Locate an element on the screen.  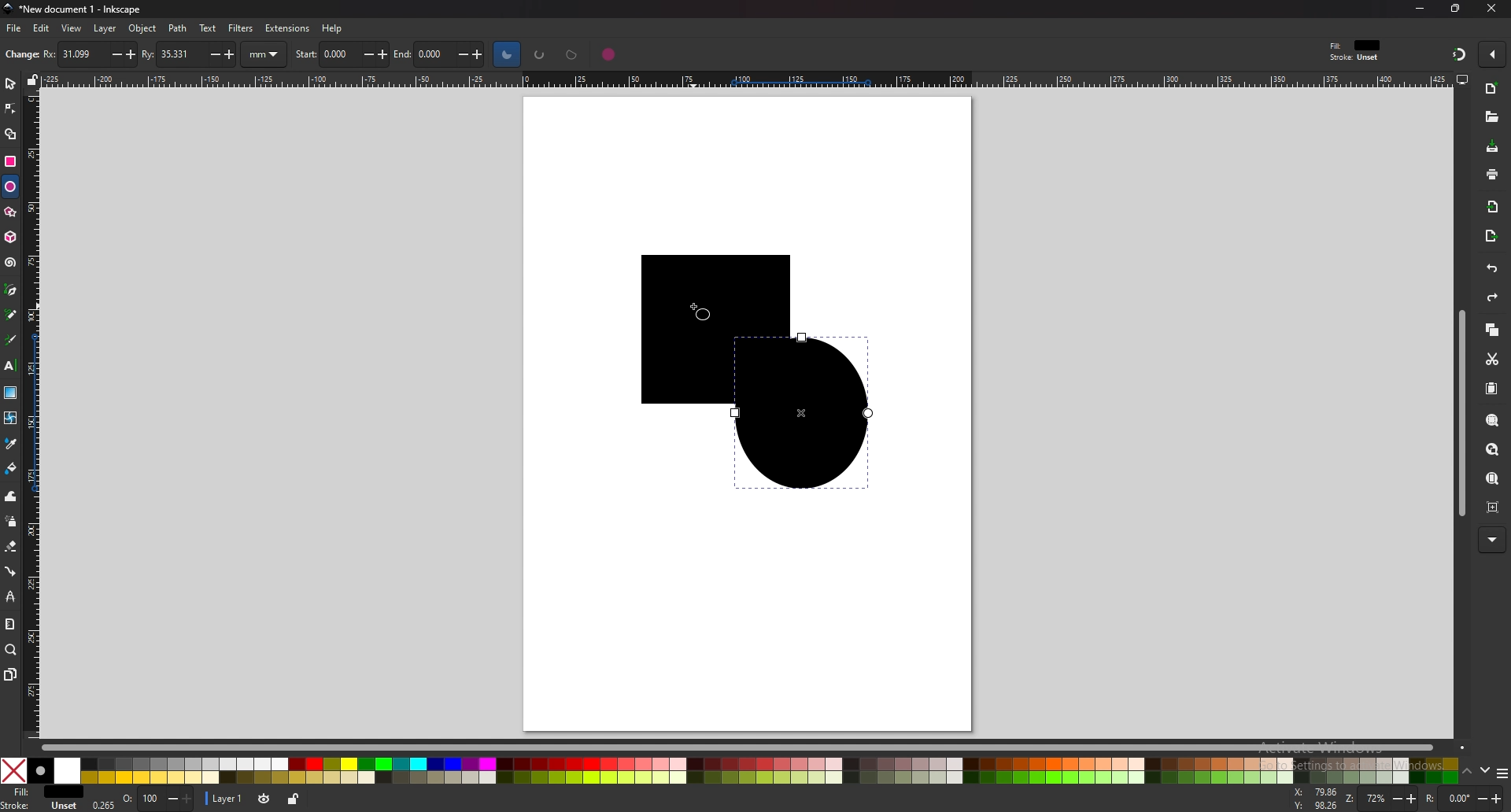
stroke is located at coordinates (42, 806).